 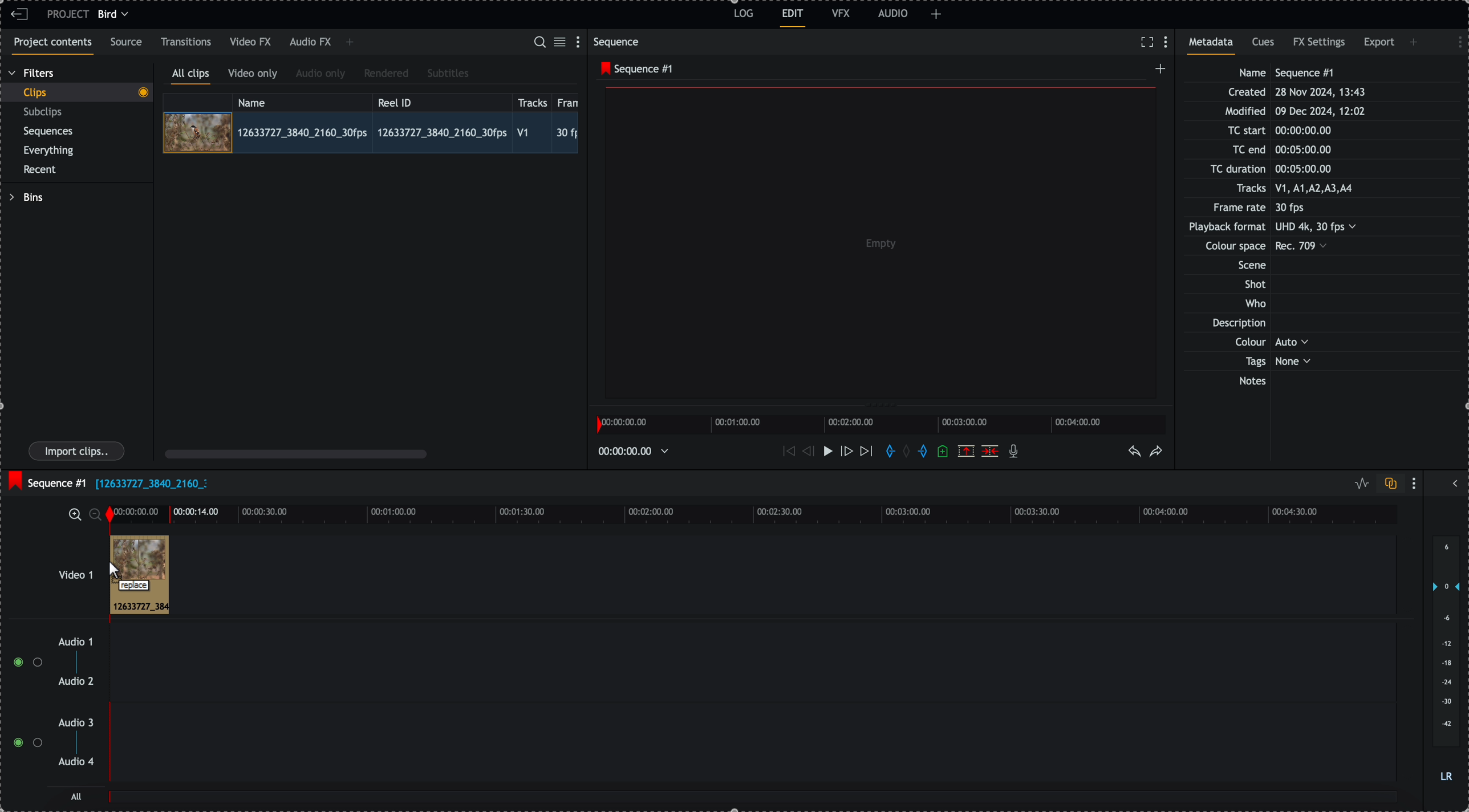 I want to click on subtitles, so click(x=448, y=74).